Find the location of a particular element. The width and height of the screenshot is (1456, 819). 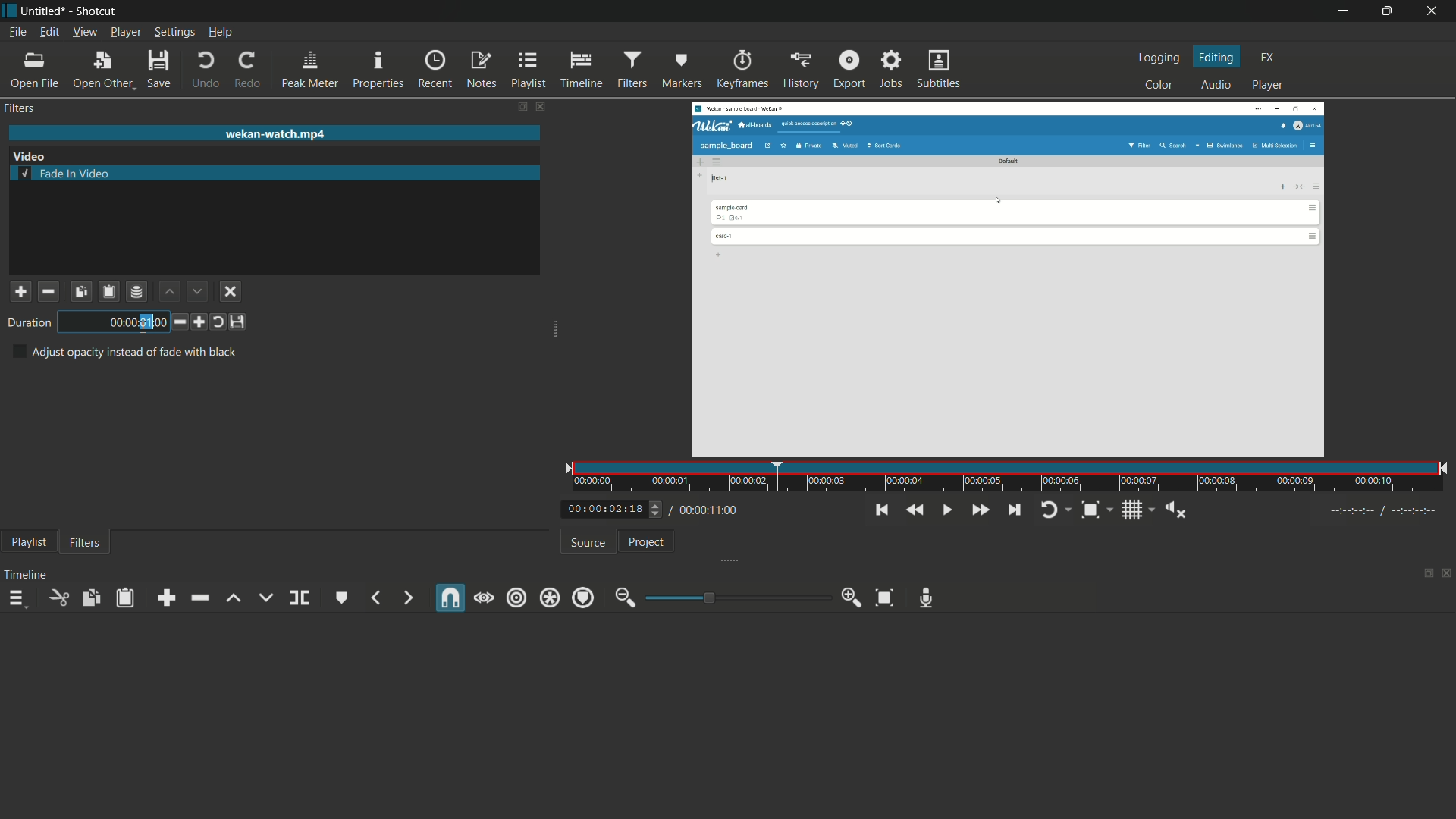

copy checked filters is located at coordinates (90, 598).